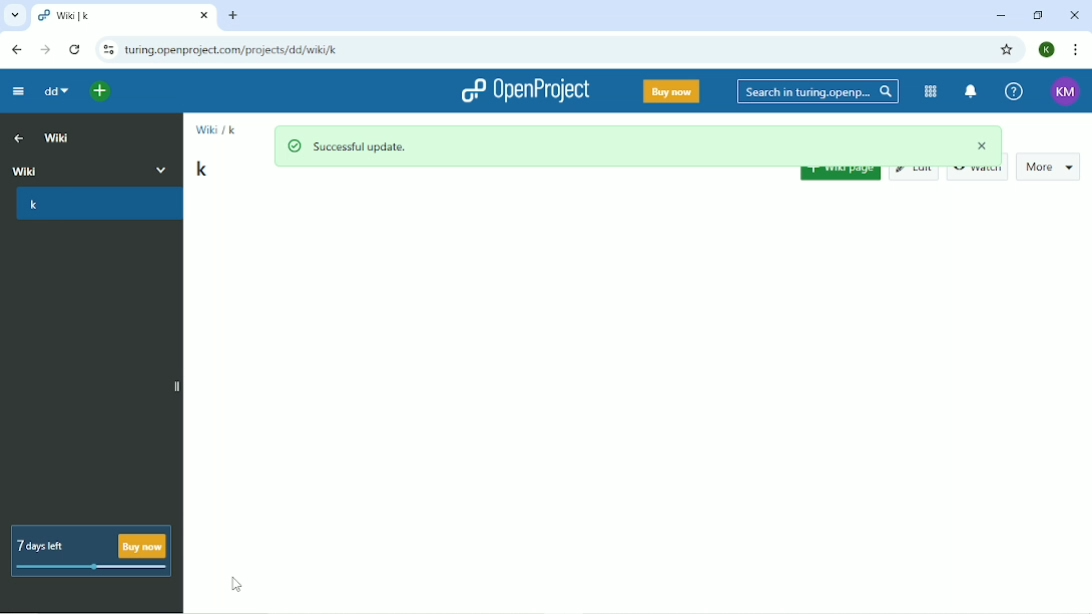 This screenshot has height=614, width=1092. What do you see at coordinates (835, 173) in the screenshot?
I see `Wiki page` at bounding box center [835, 173].